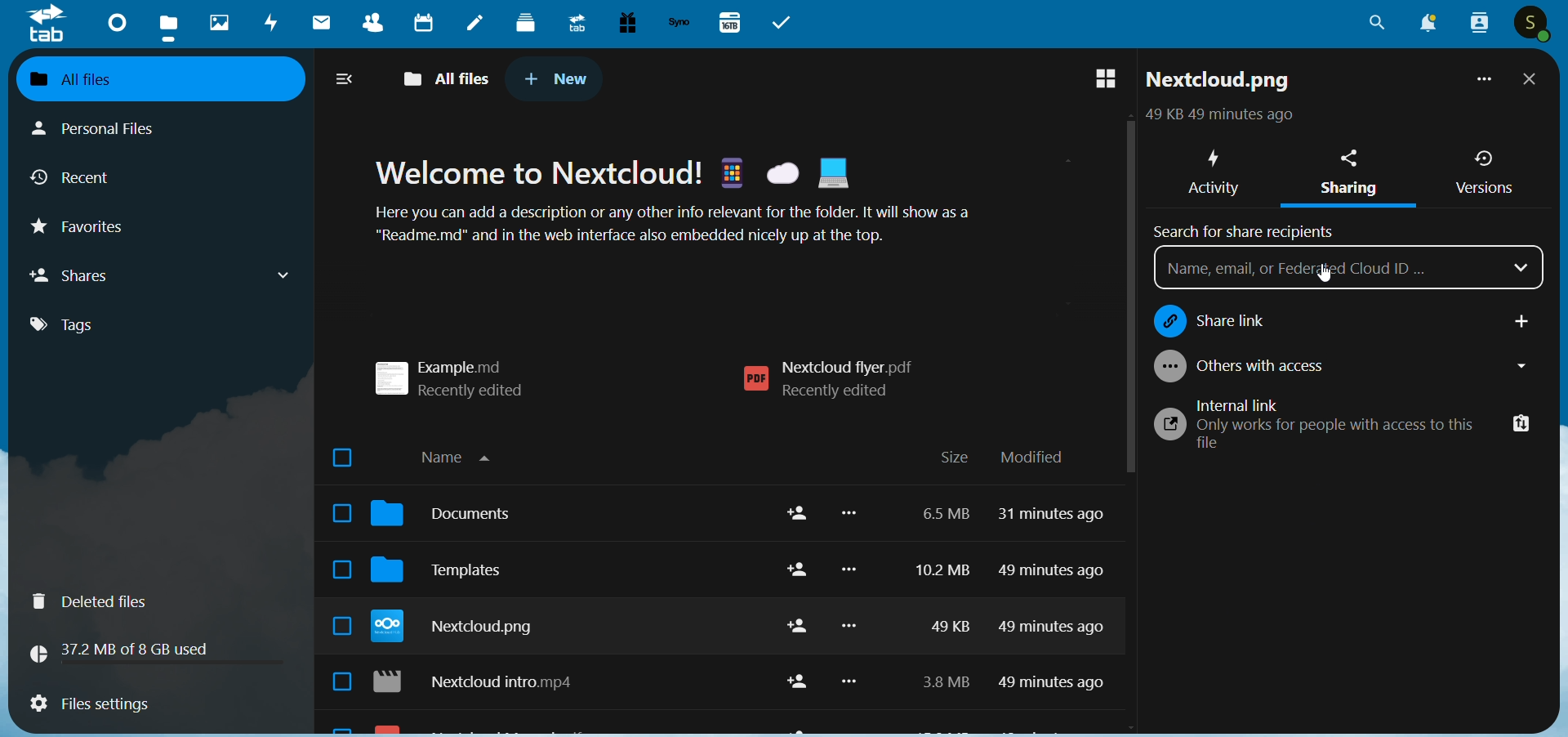 The width and height of the screenshot is (1568, 737). What do you see at coordinates (954, 458) in the screenshot?
I see `size` at bounding box center [954, 458].